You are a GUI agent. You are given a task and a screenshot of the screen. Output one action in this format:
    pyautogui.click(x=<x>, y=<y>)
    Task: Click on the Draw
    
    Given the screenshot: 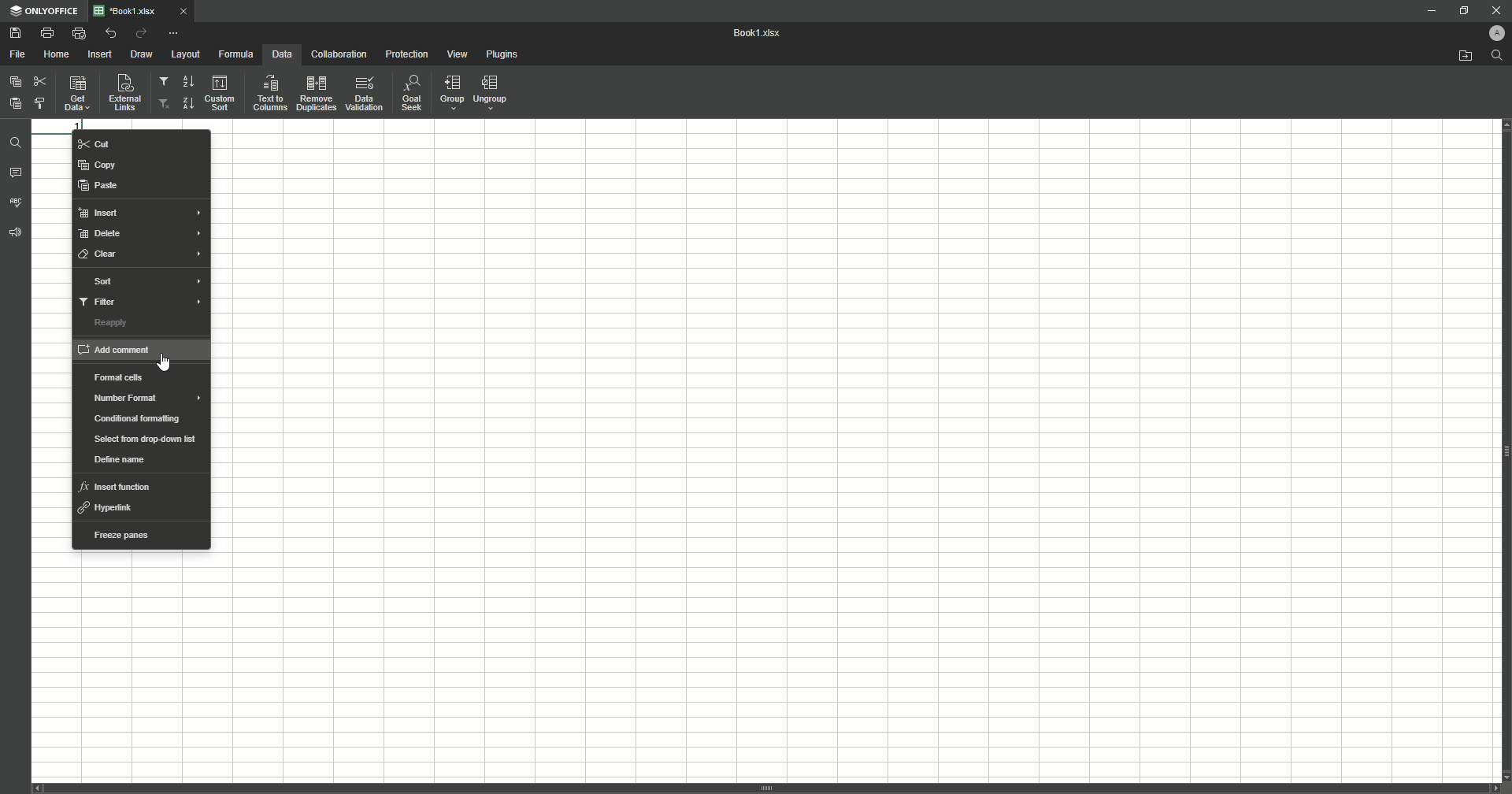 What is the action you would take?
    pyautogui.click(x=143, y=55)
    